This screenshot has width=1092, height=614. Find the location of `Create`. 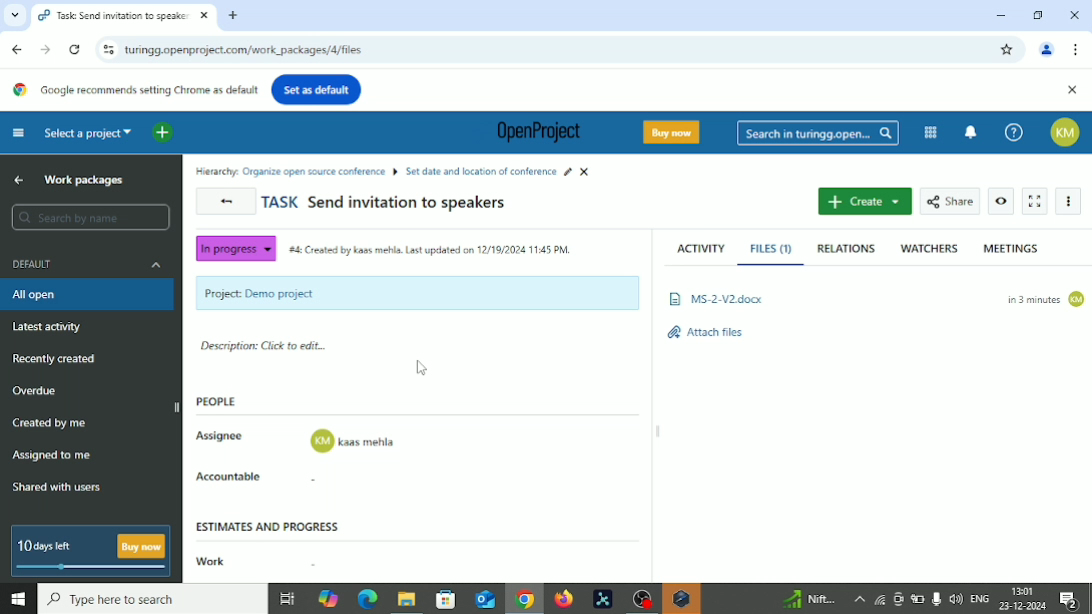

Create is located at coordinates (864, 202).